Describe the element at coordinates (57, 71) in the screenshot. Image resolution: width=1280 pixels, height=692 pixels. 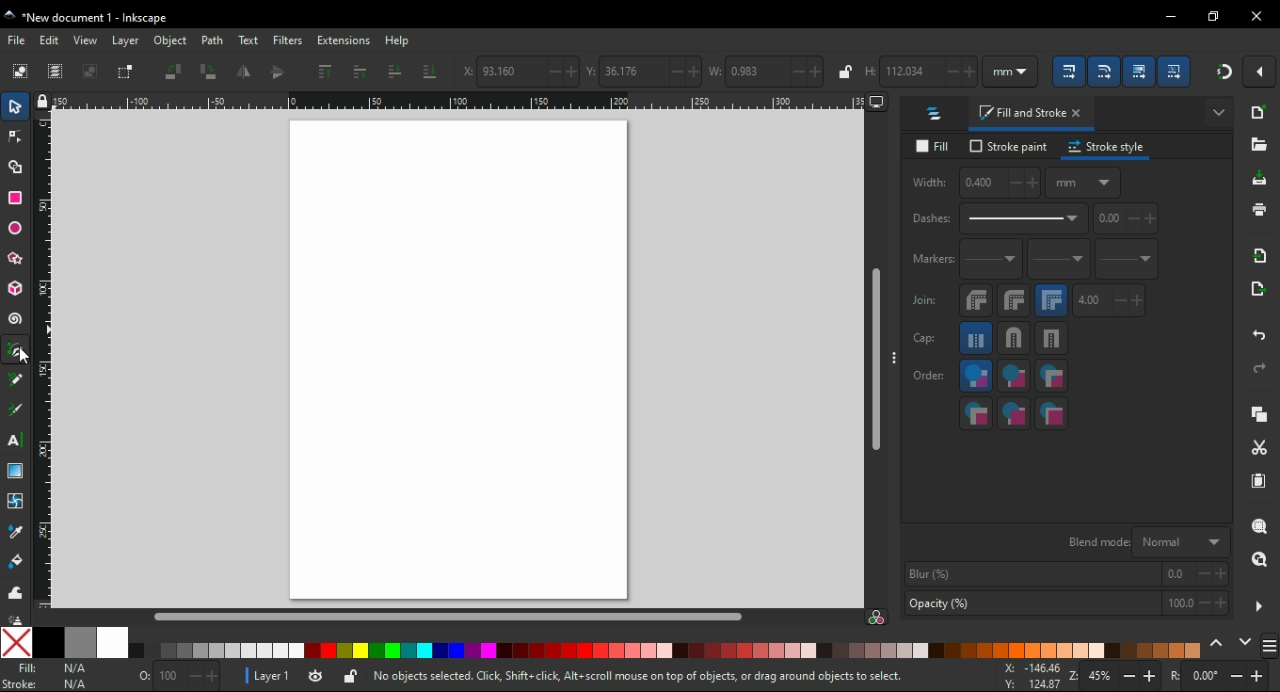
I see `select all in all layers` at that location.